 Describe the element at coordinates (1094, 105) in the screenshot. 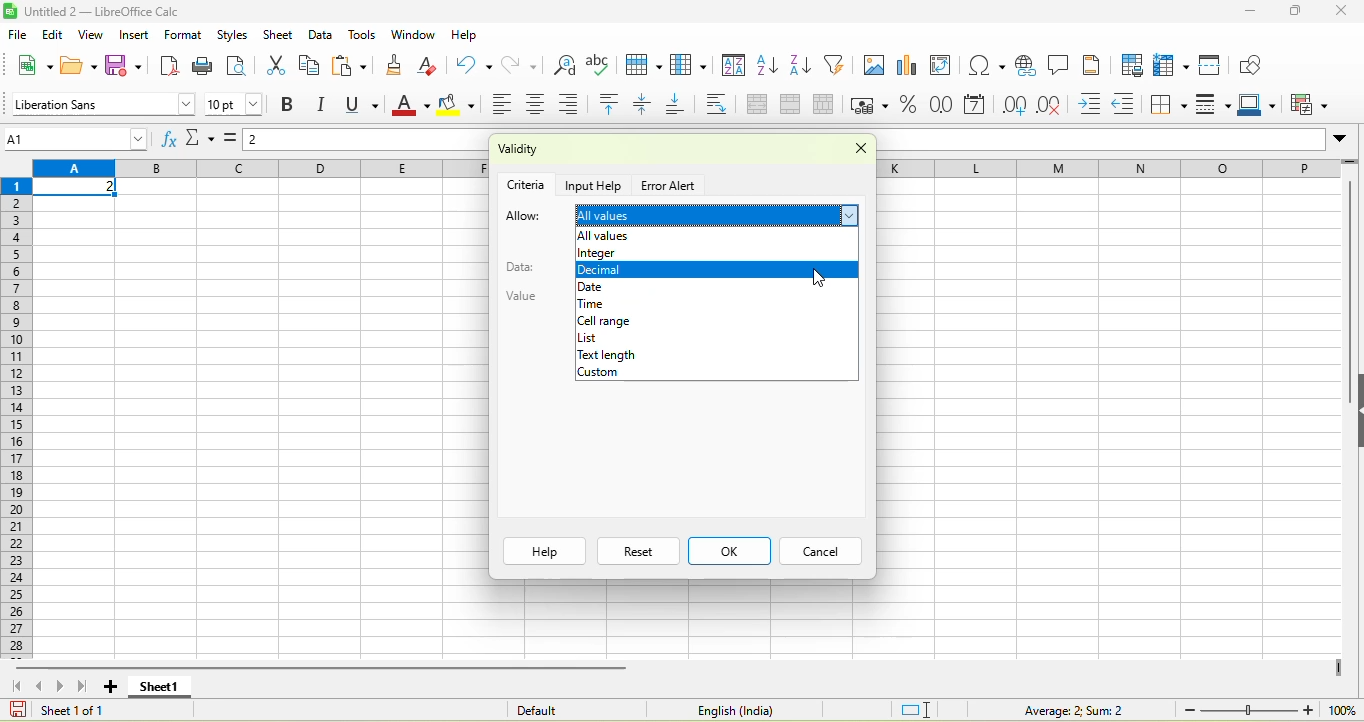

I see `increase indent` at that location.